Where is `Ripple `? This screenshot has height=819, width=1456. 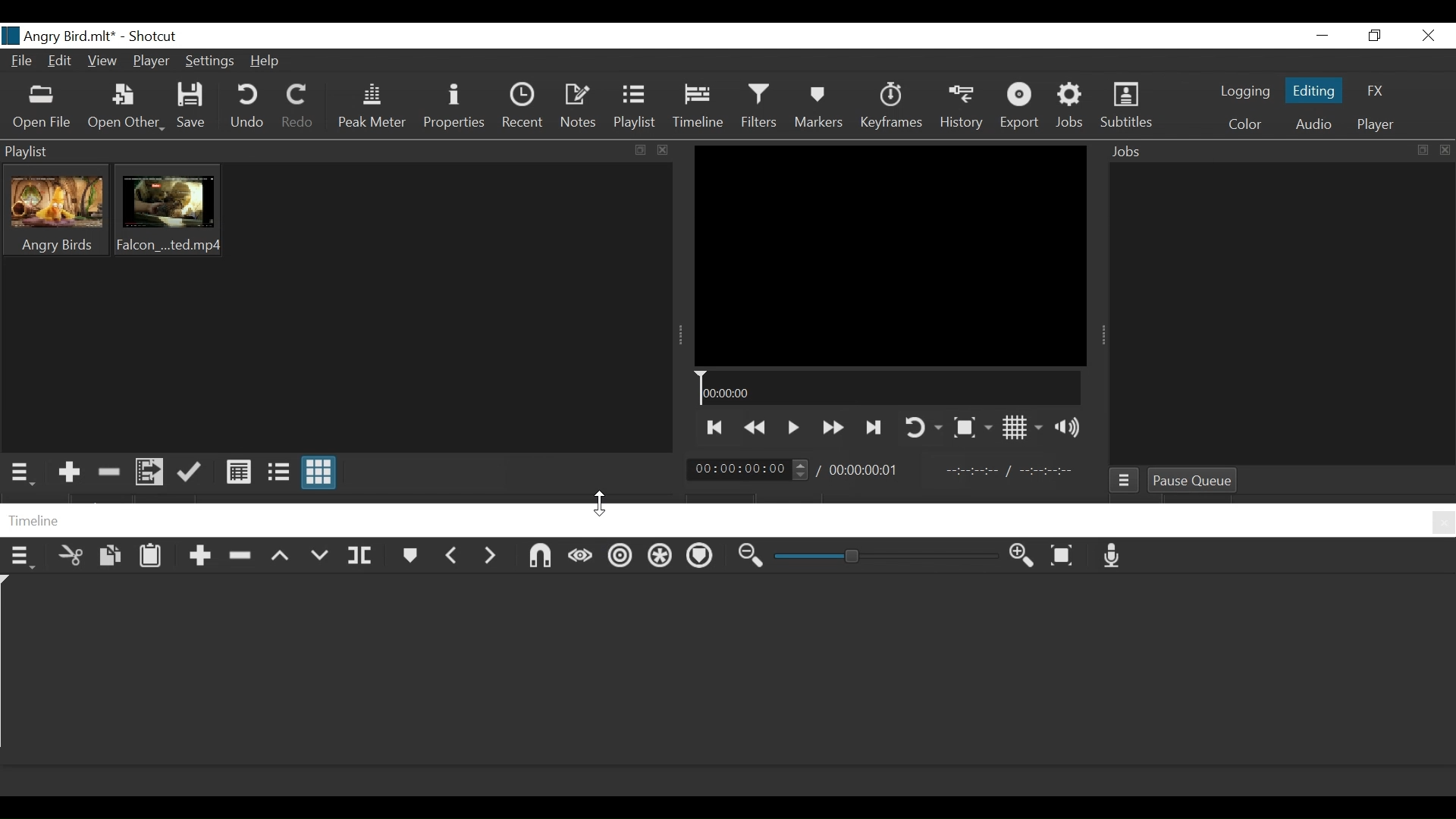
Ripple  is located at coordinates (620, 560).